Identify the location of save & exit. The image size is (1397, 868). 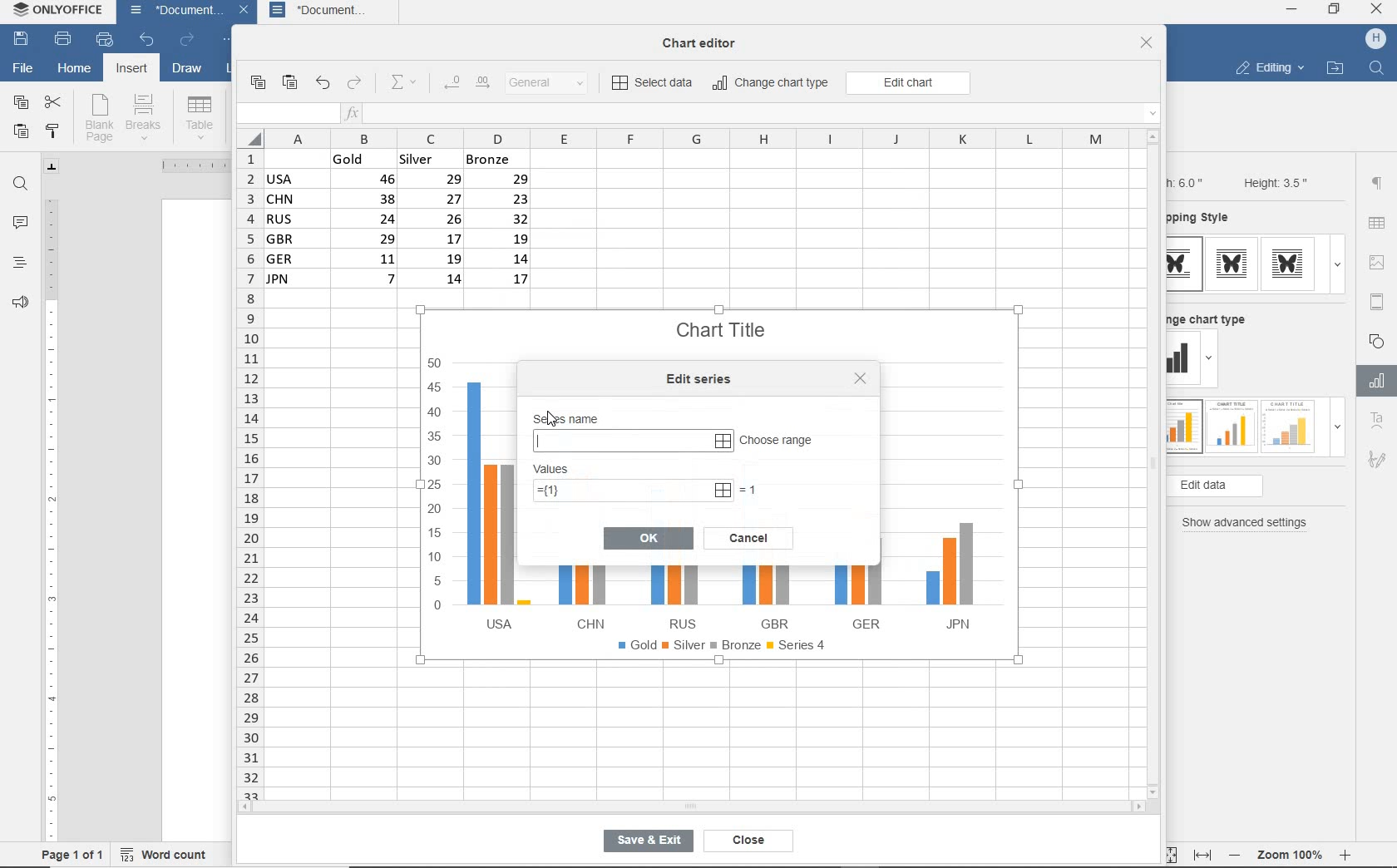
(645, 844).